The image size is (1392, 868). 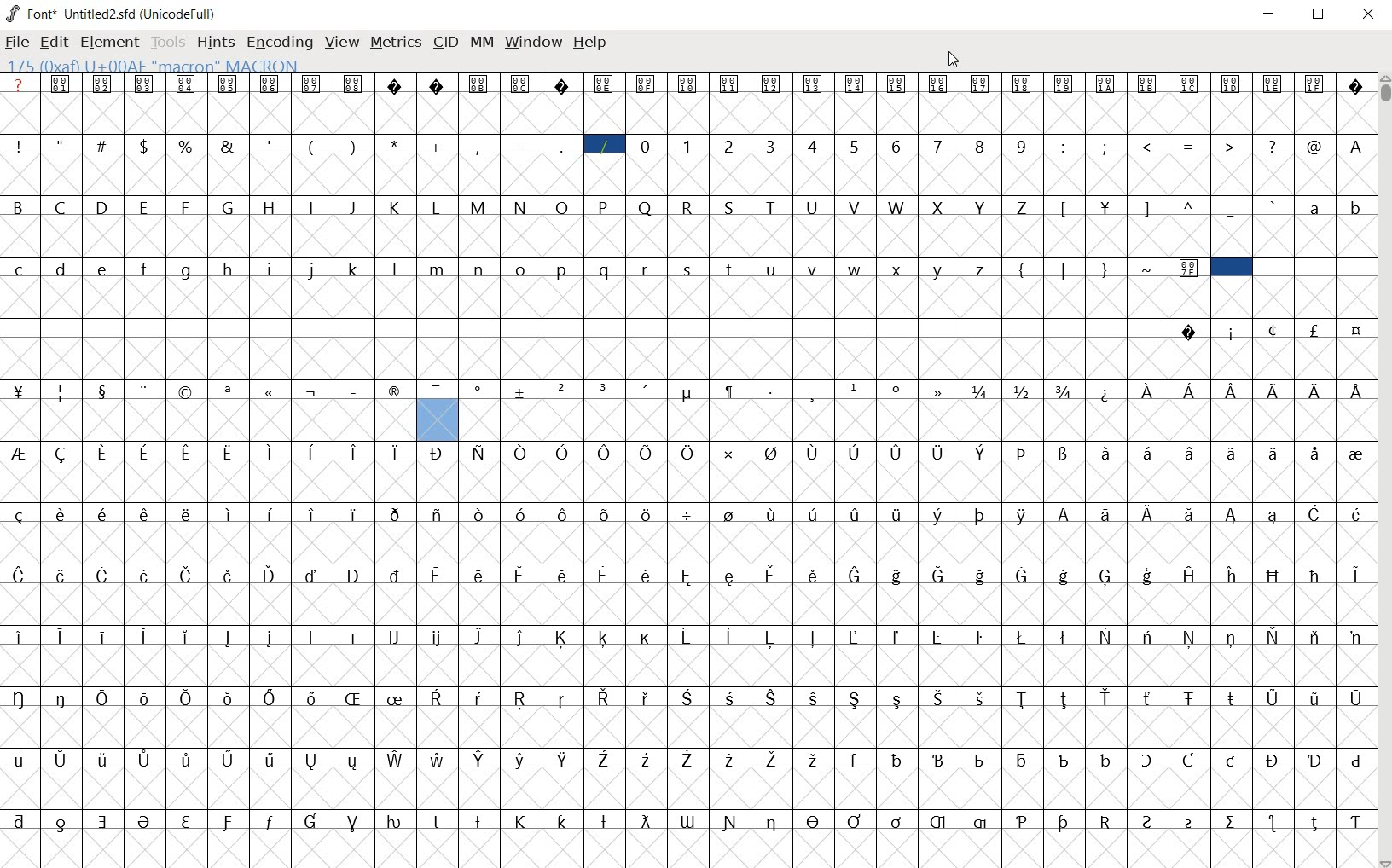 I want to click on Symbol, so click(x=1188, y=269).